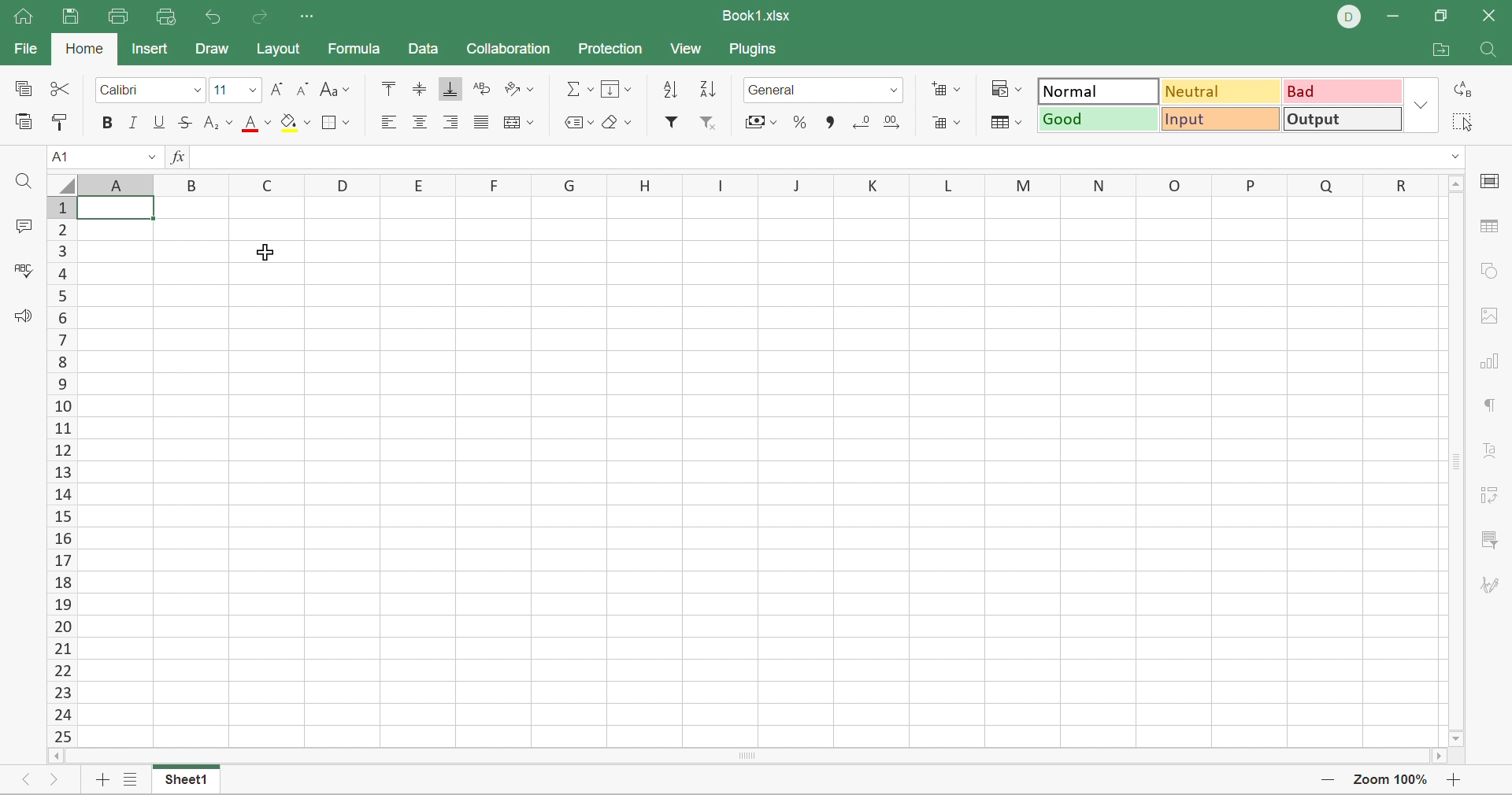 The width and height of the screenshot is (1512, 795). What do you see at coordinates (59, 470) in the screenshot?
I see `Scroll Bar` at bounding box center [59, 470].